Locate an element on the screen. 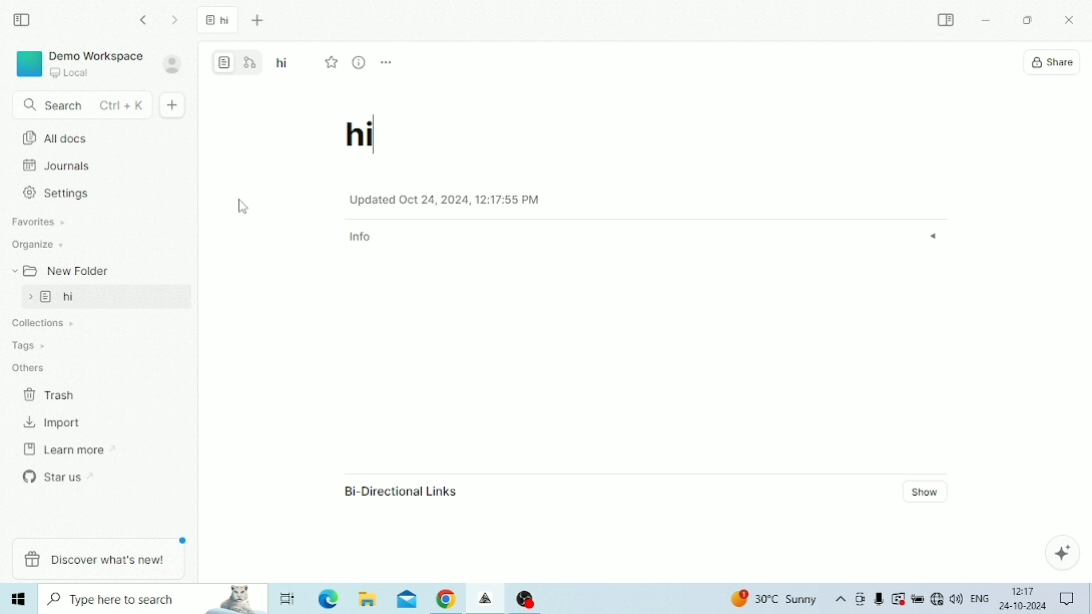 The height and width of the screenshot is (614, 1092). Show hidden icons is located at coordinates (841, 600).